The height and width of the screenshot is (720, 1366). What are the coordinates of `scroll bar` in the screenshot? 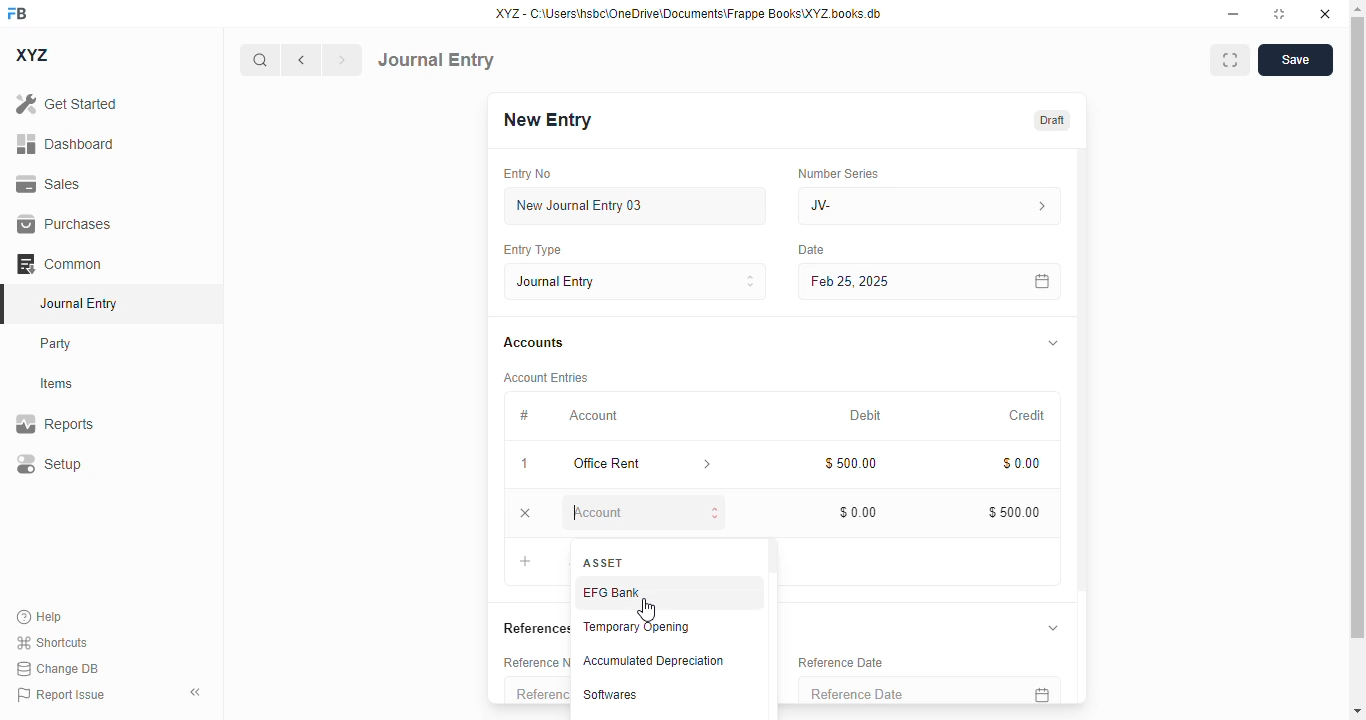 It's located at (1359, 358).